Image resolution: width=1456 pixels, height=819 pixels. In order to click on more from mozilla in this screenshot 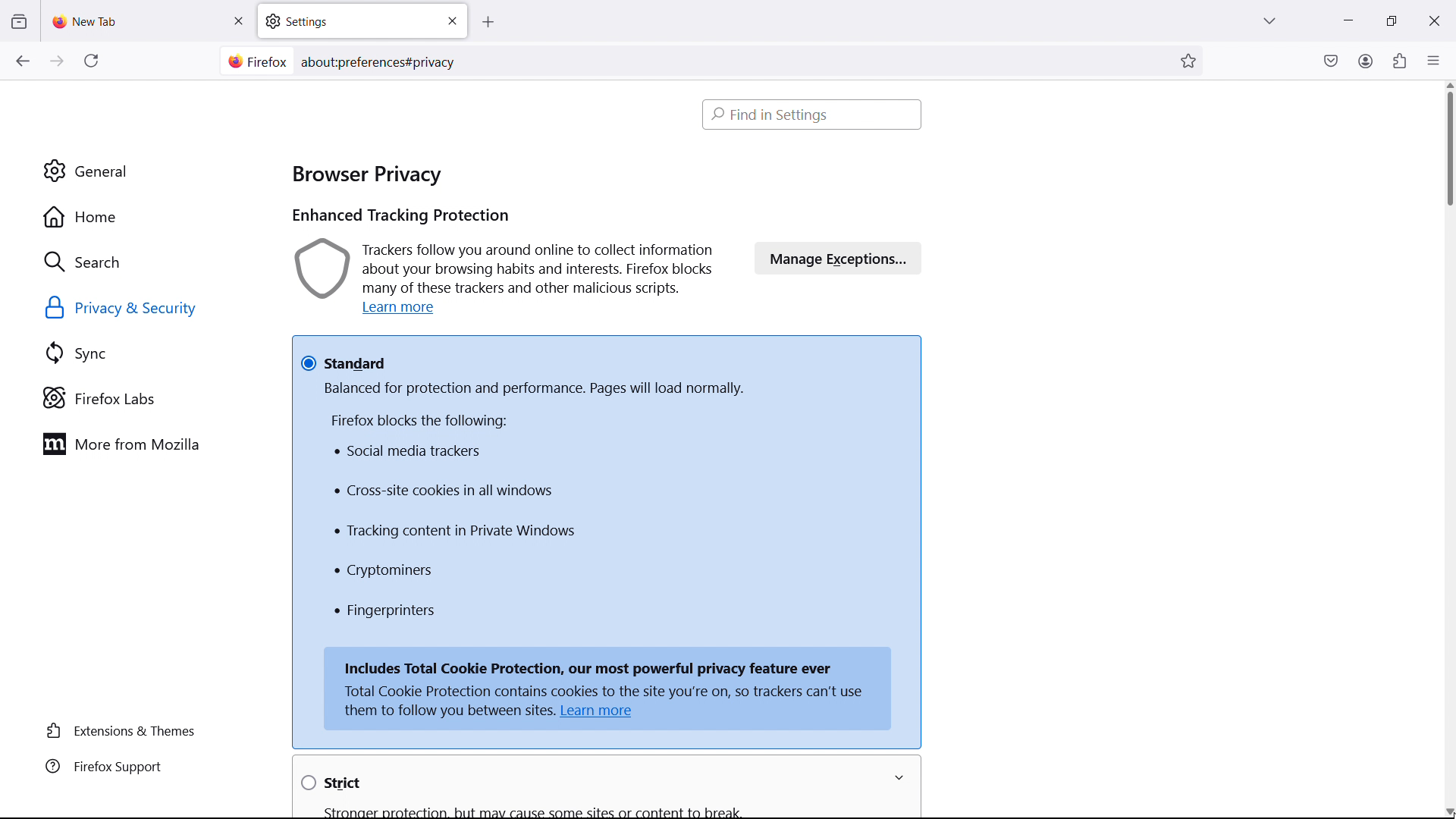, I will do `click(145, 444)`.